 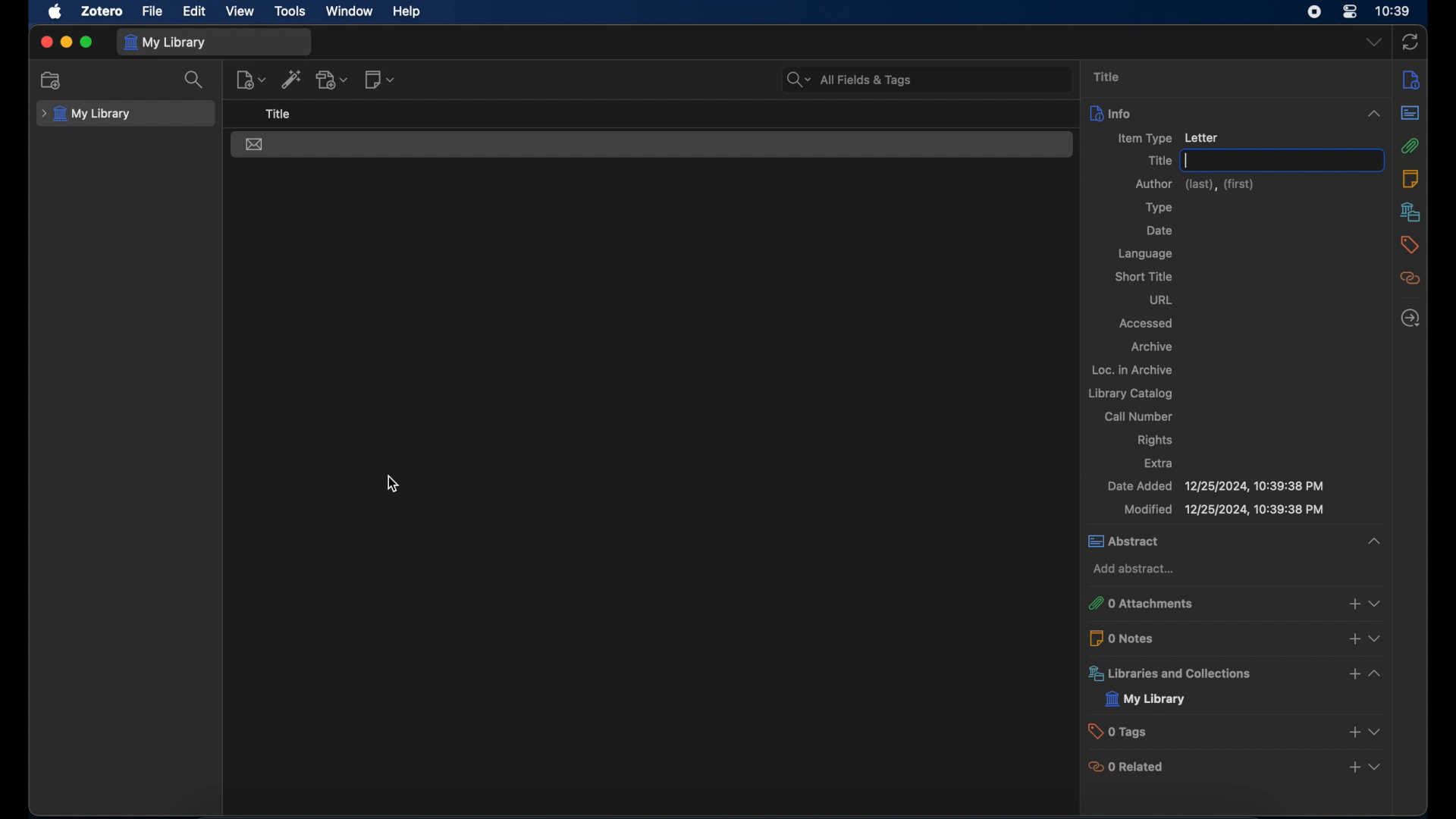 I want to click on add, so click(x=1353, y=674).